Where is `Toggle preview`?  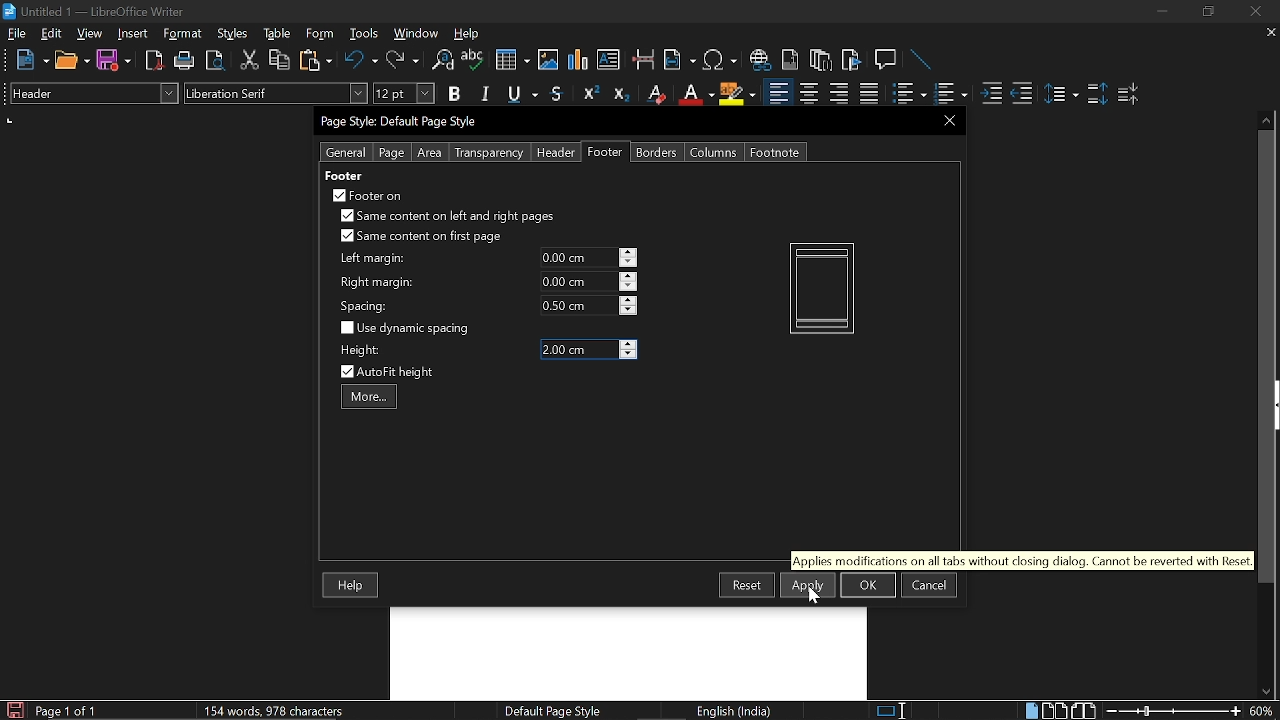 Toggle preview is located at coordinates (214, 61).